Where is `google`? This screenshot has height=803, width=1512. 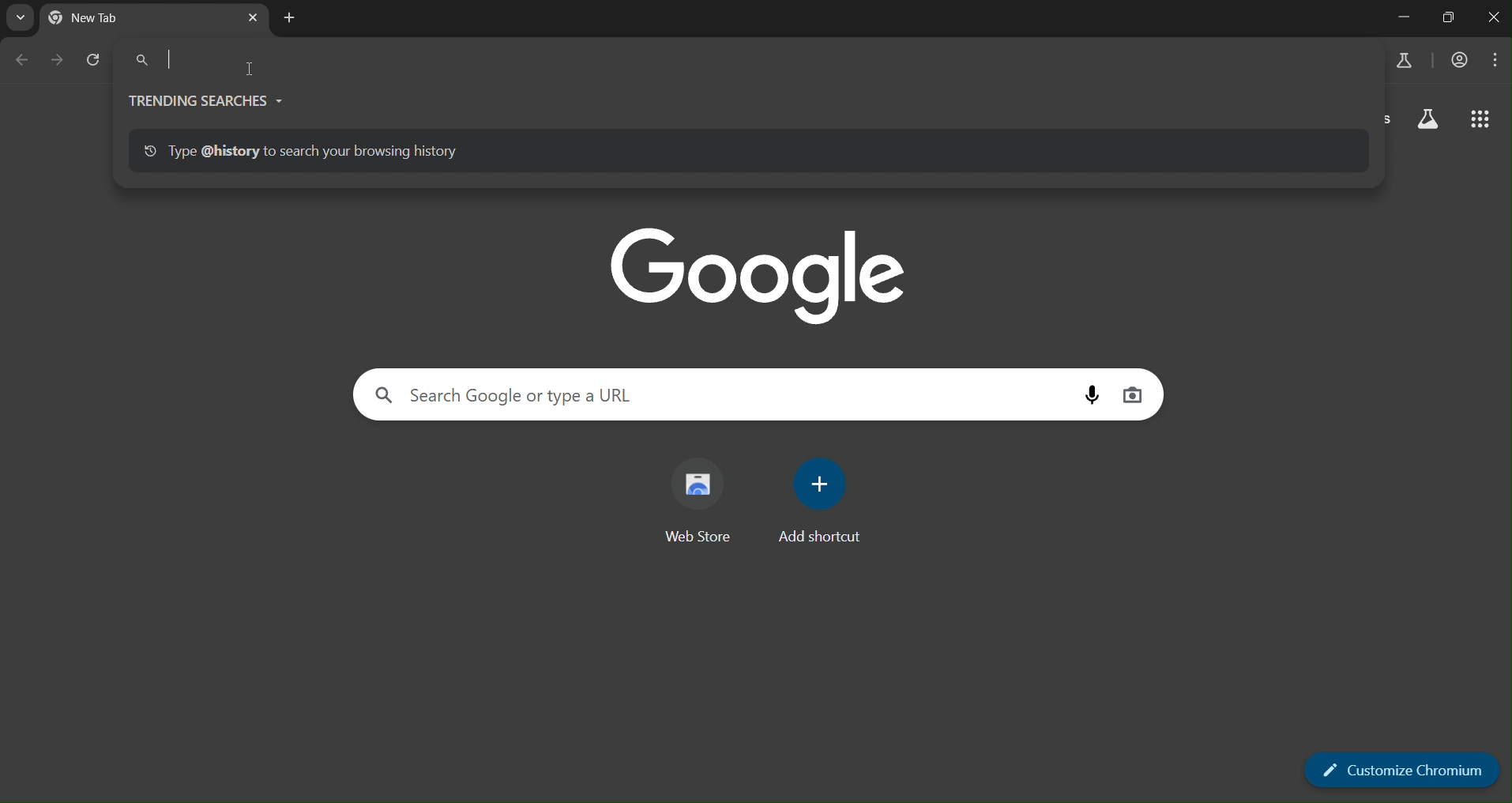 google is located at coordinates (761, 273).